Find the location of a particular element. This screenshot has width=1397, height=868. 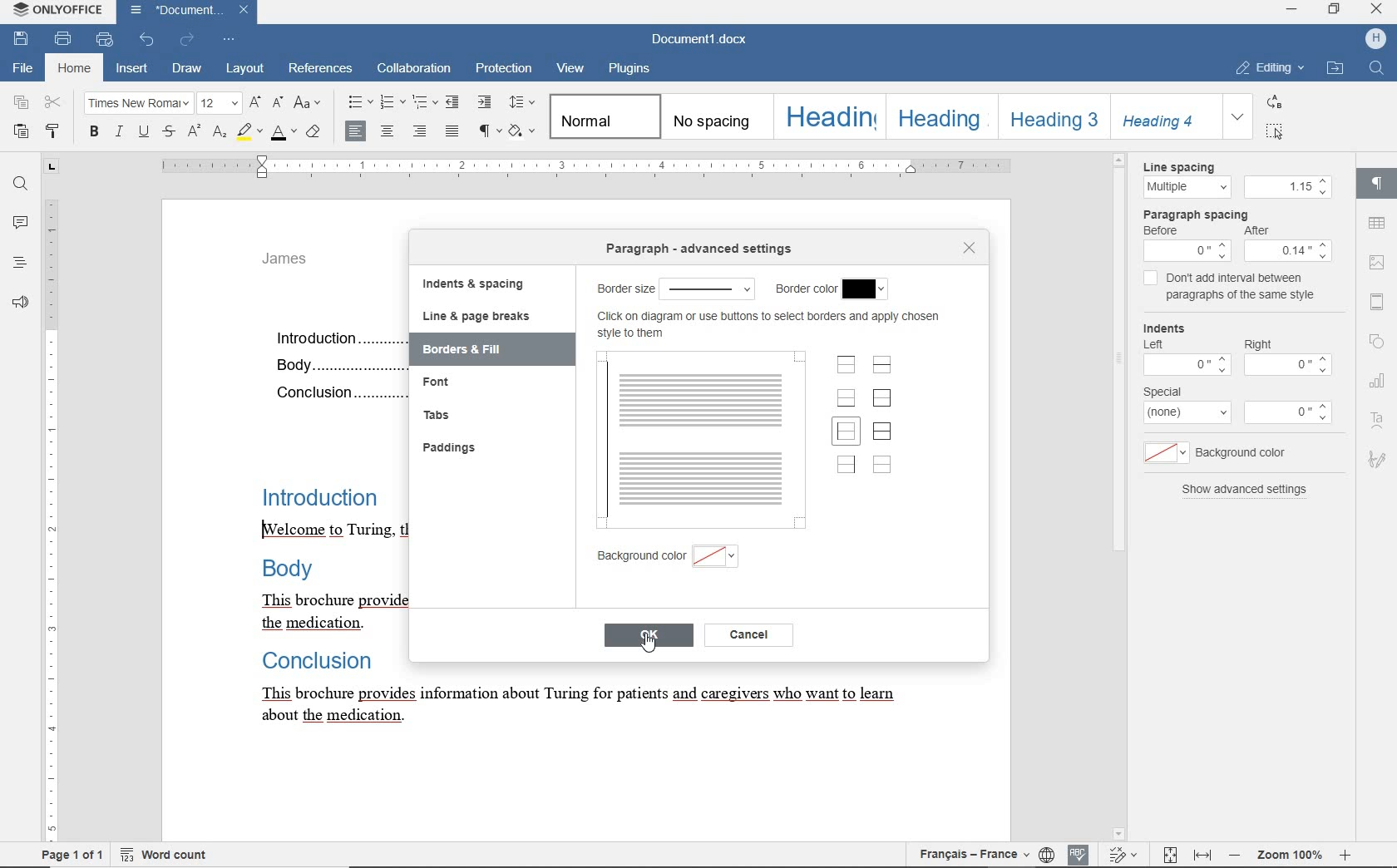

fit to width is located at coordinates (1205, 856).